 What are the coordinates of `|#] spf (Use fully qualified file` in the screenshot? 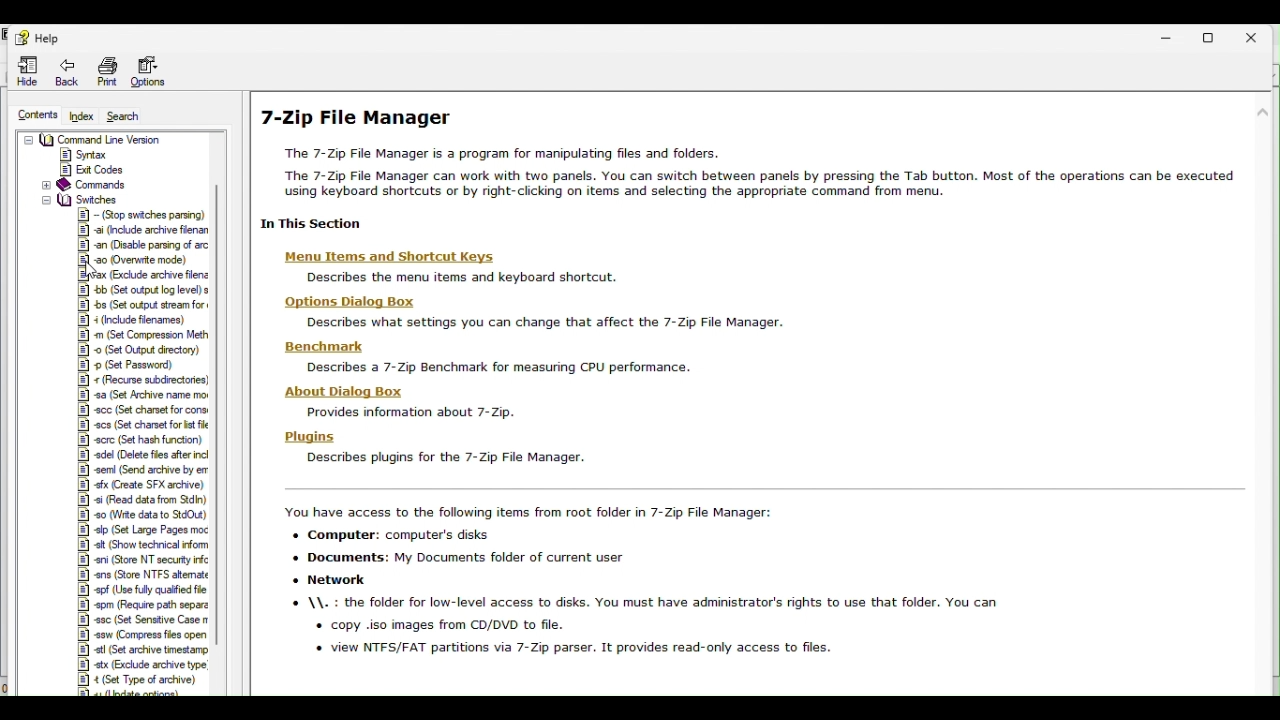 It's located at (143, 589).